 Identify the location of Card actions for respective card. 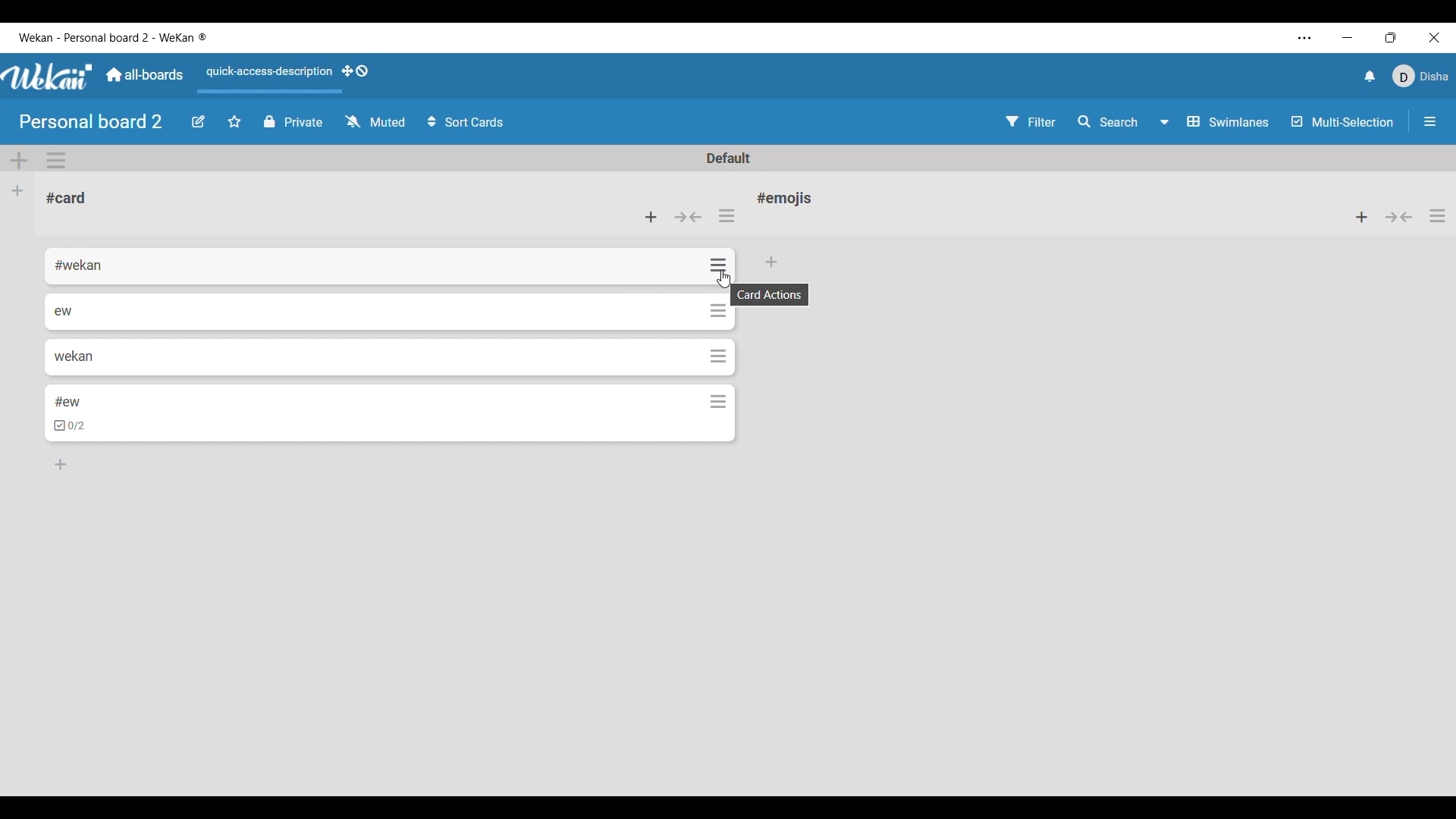
(717, 309).